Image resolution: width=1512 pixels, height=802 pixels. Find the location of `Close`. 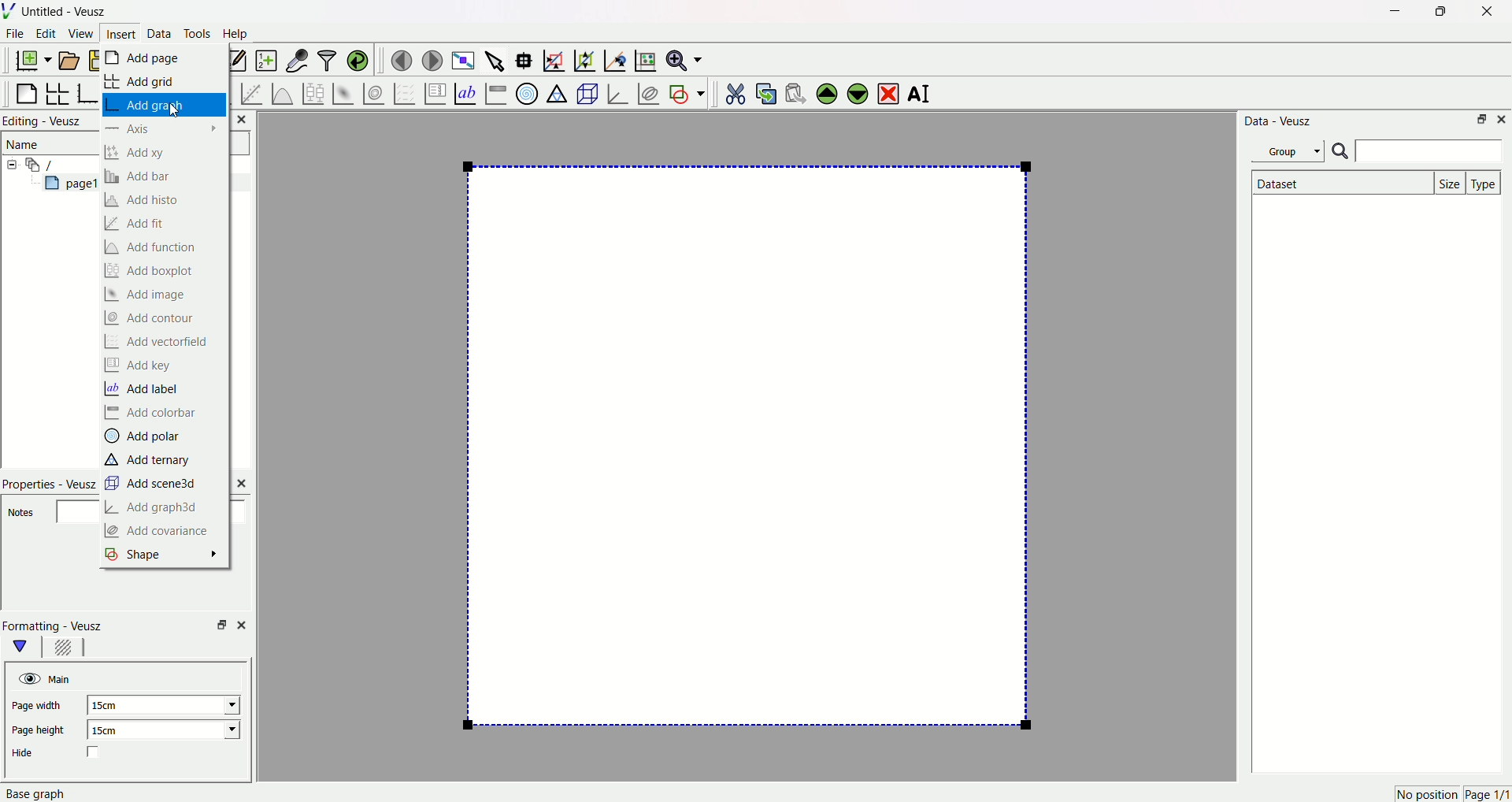

Close is located at coordinates (246, 119).